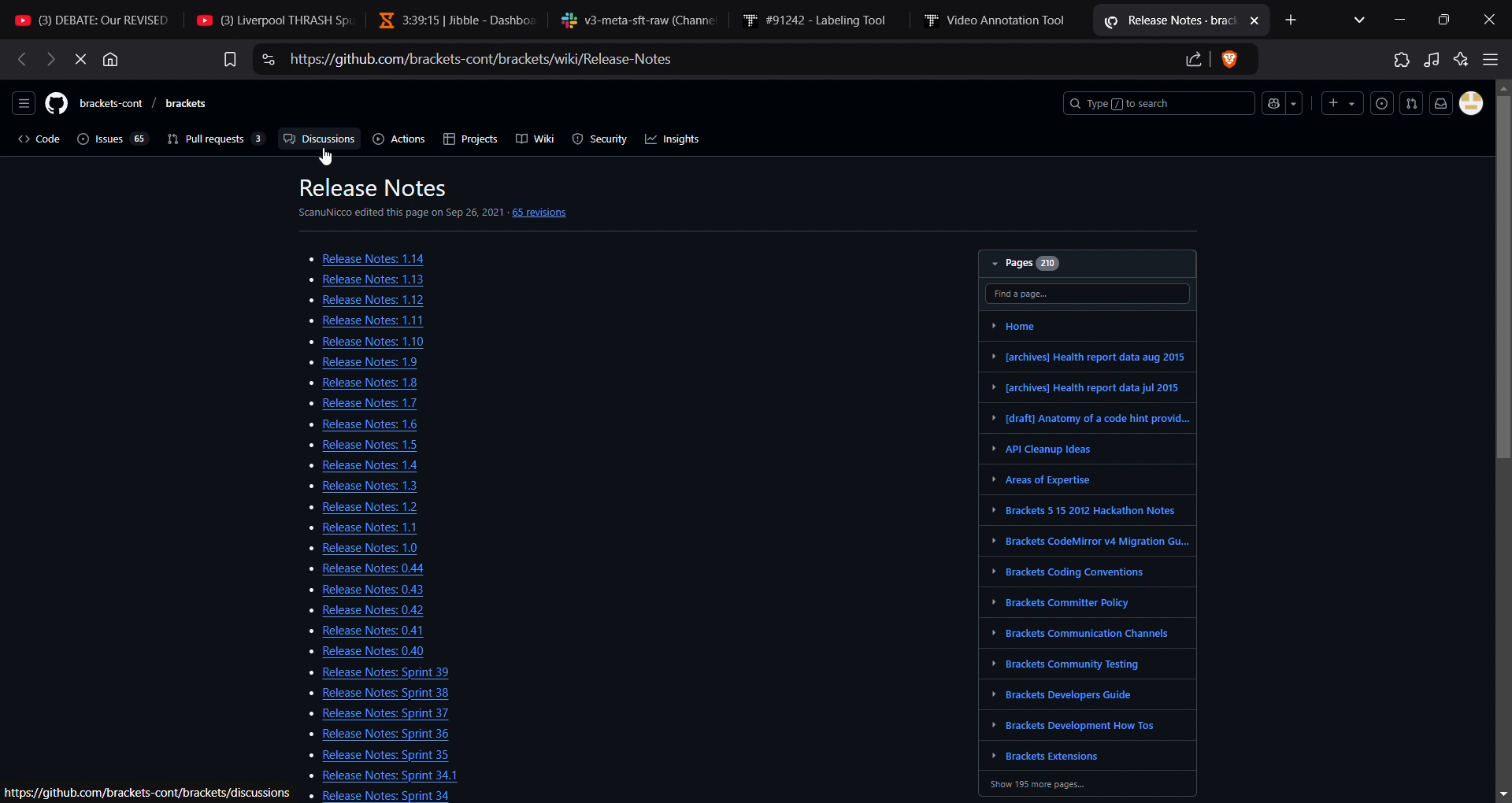 The width and height of the screenshot is (1512, 803). Describe the element at coordinates (374, 712) in the screenshot. I see `o Release Notes: Sprint 37` at that location.